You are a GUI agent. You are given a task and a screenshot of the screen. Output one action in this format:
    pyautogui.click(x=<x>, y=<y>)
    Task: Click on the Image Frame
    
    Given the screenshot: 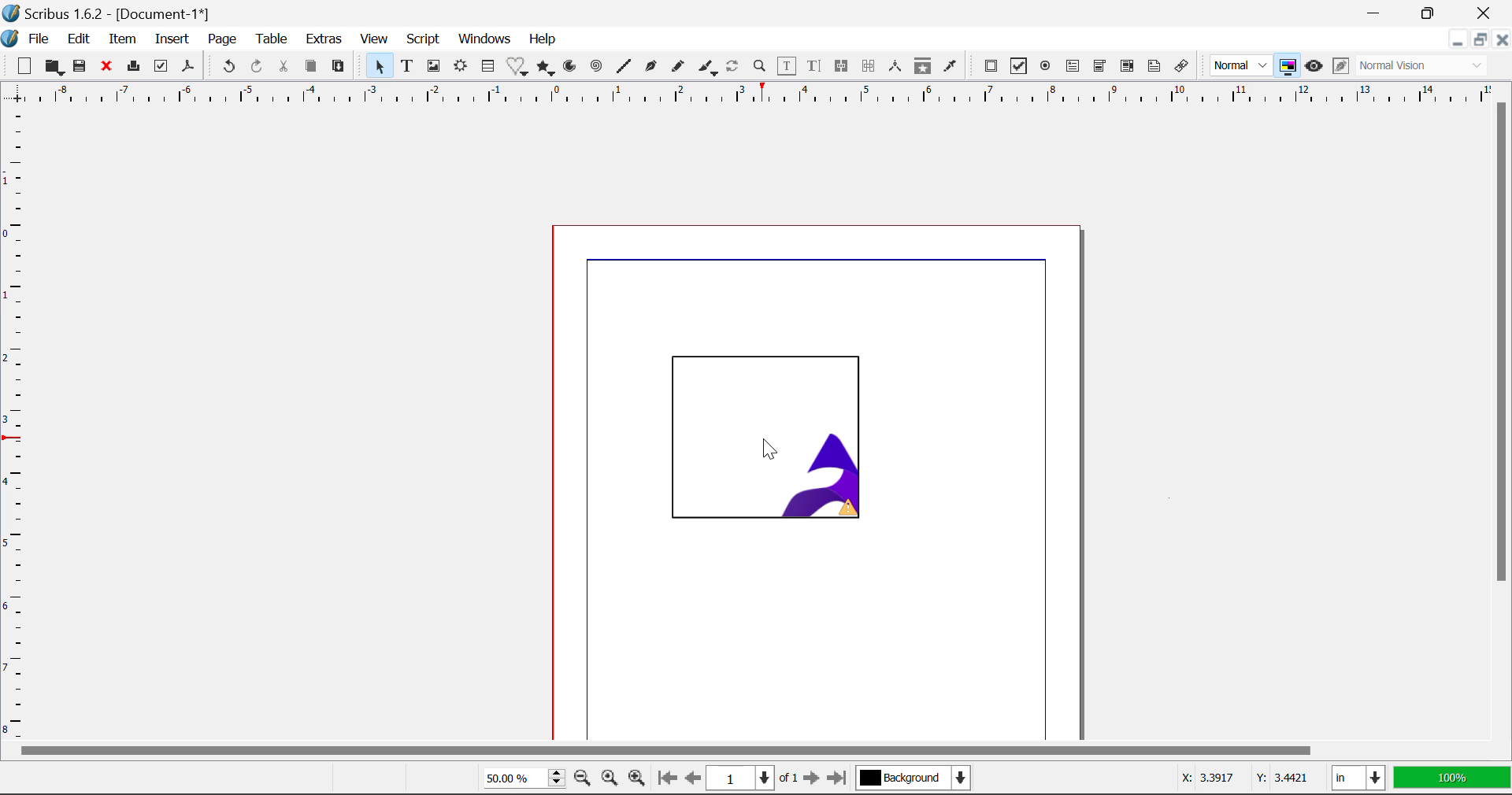 What is the action you would take?
    pyautogui.click(x=776, y=439)
    